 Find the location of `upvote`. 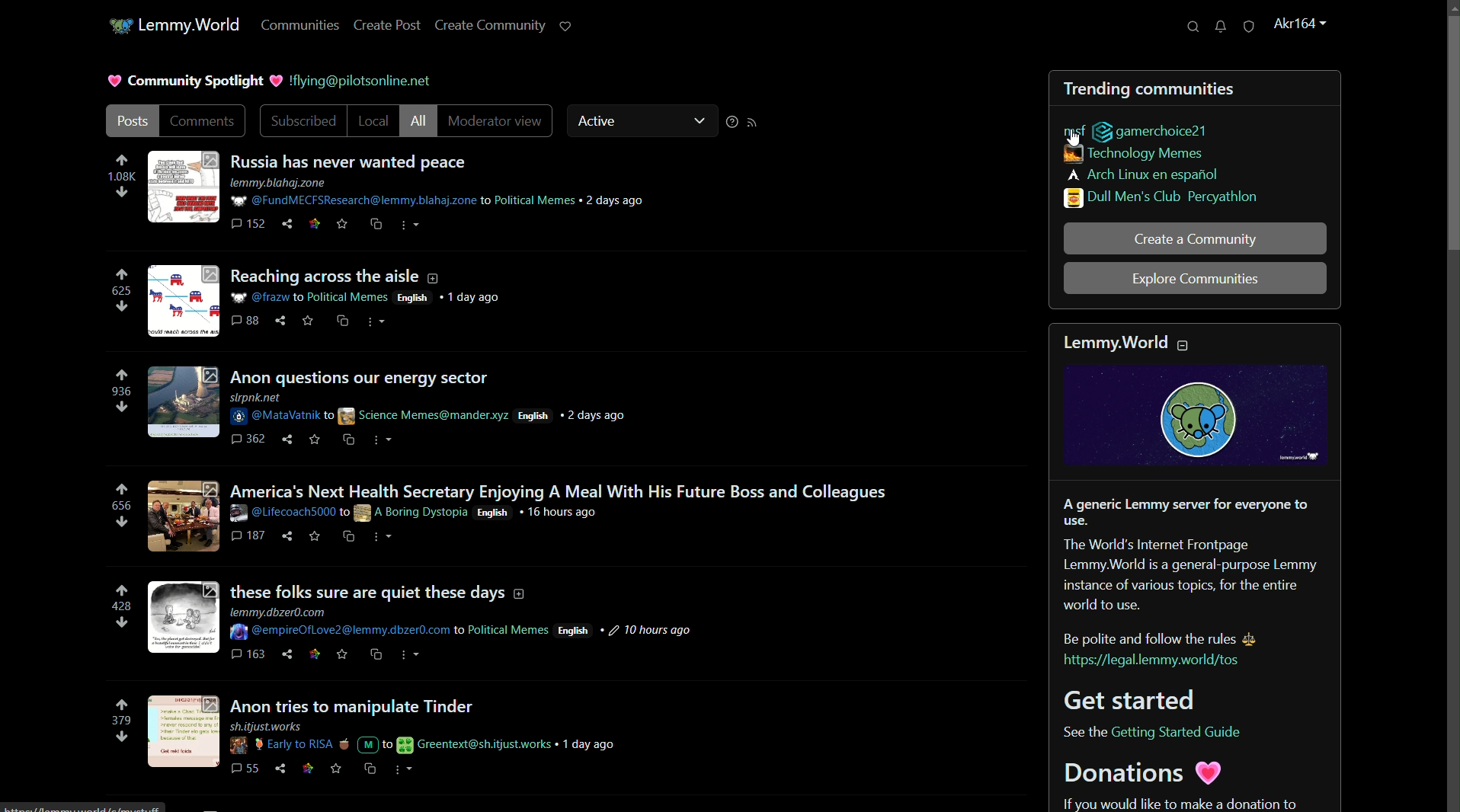

upvote is located at coordinates (123, 489).